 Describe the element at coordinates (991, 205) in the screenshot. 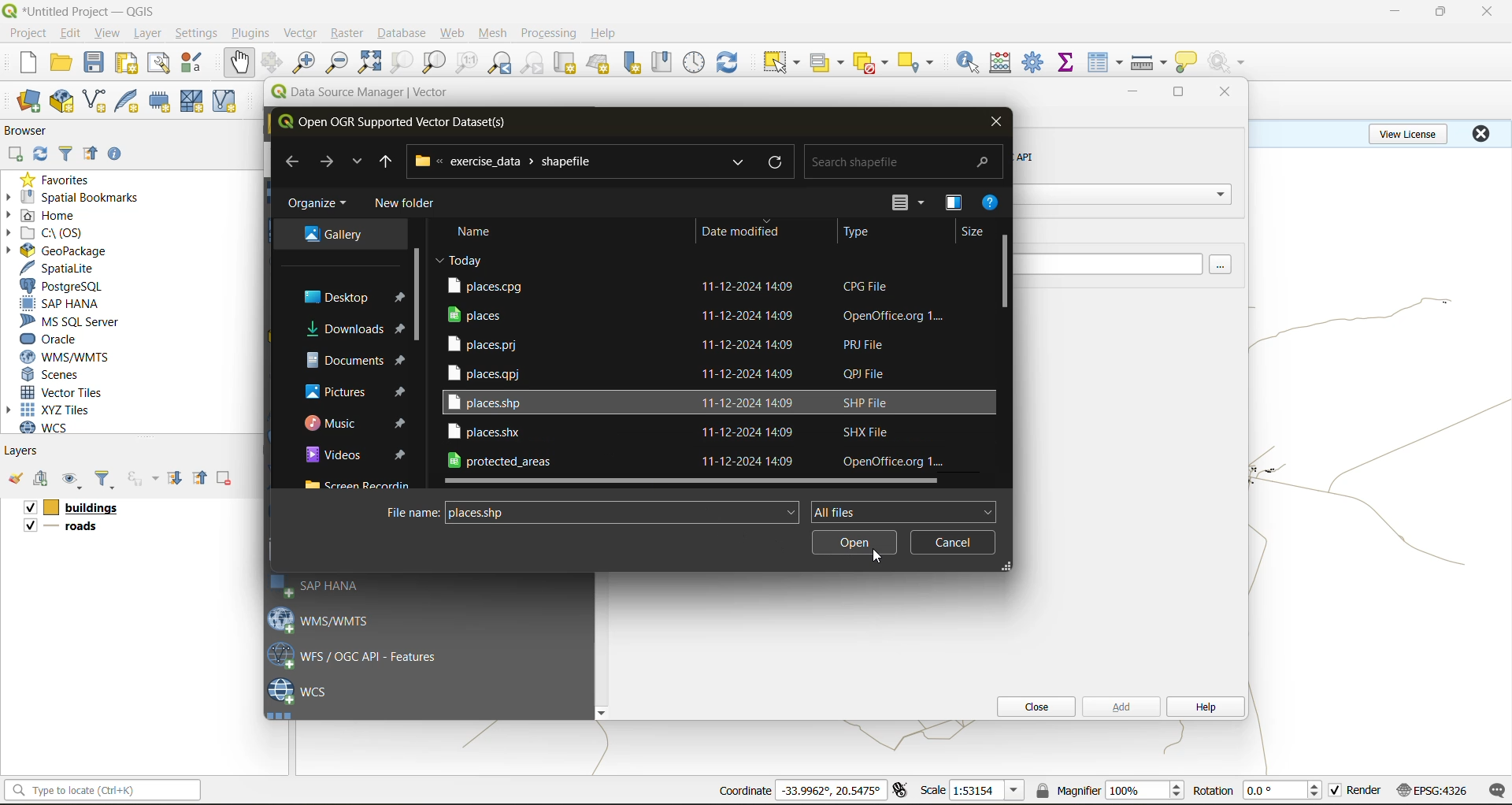

I see `help` at that location.